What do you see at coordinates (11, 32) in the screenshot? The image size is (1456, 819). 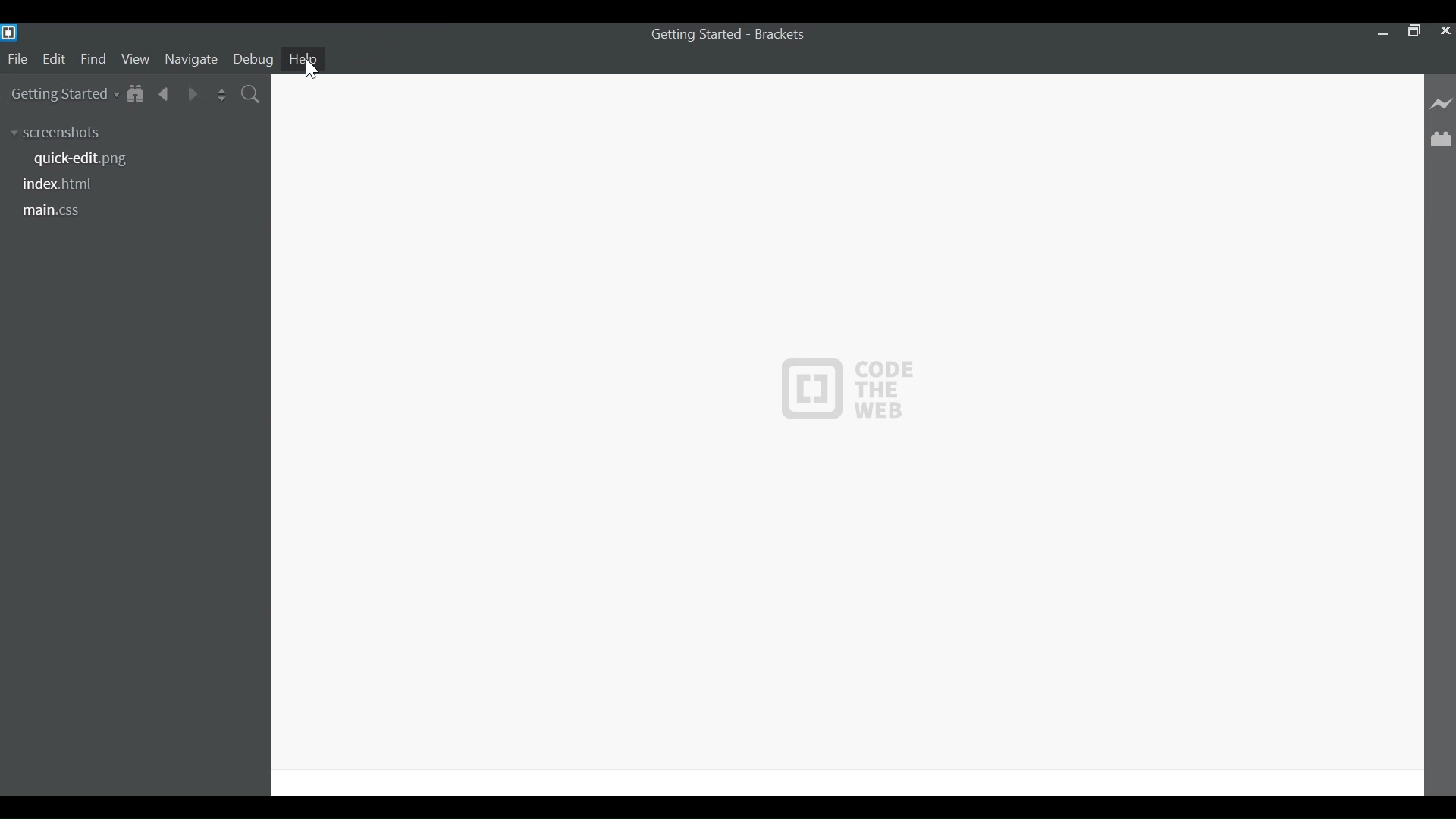 I see `Brackets Desktop icon` at bounding box center [11, 32].